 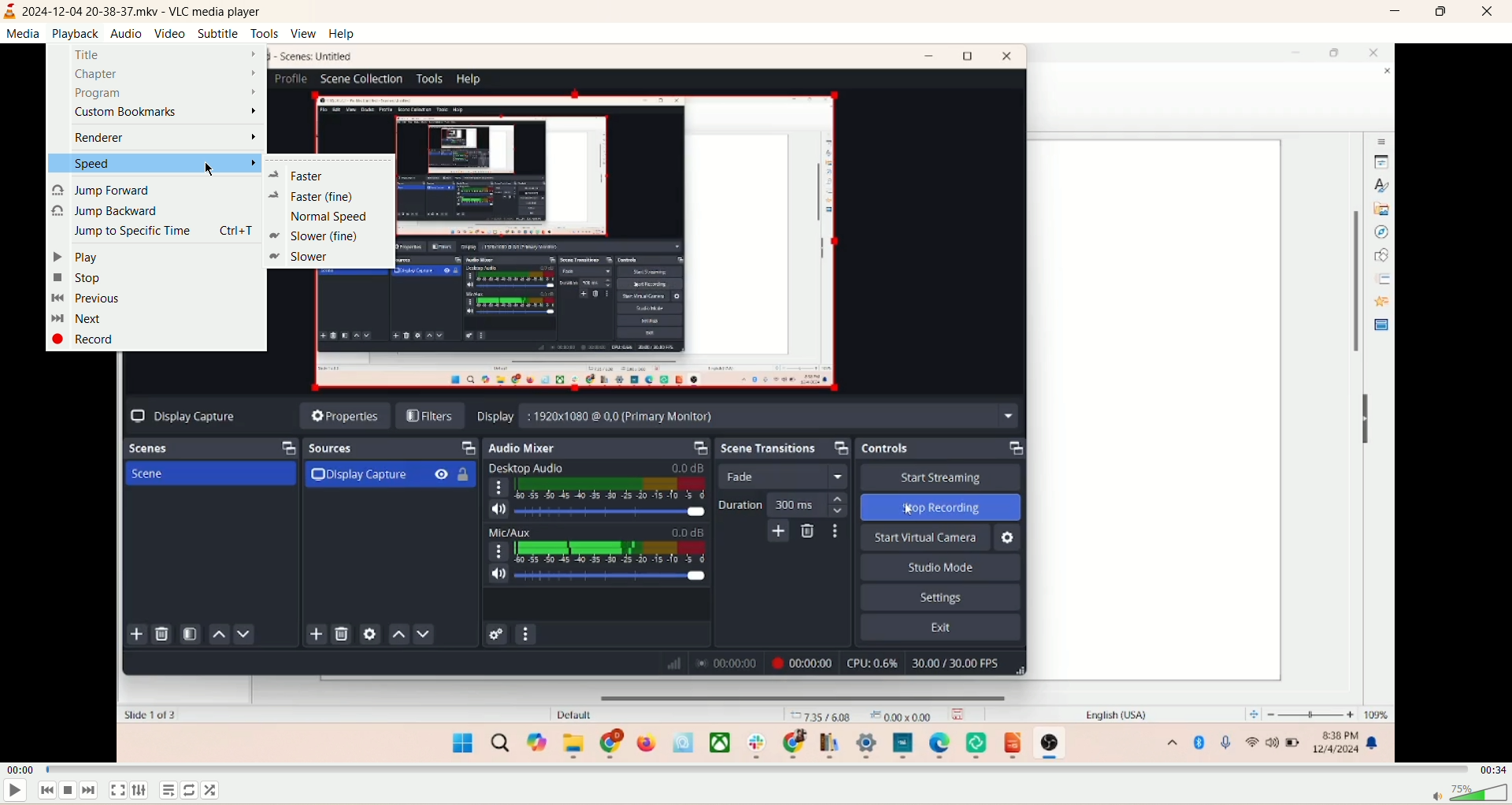 I want to click on next, so click(x=80, y=319).